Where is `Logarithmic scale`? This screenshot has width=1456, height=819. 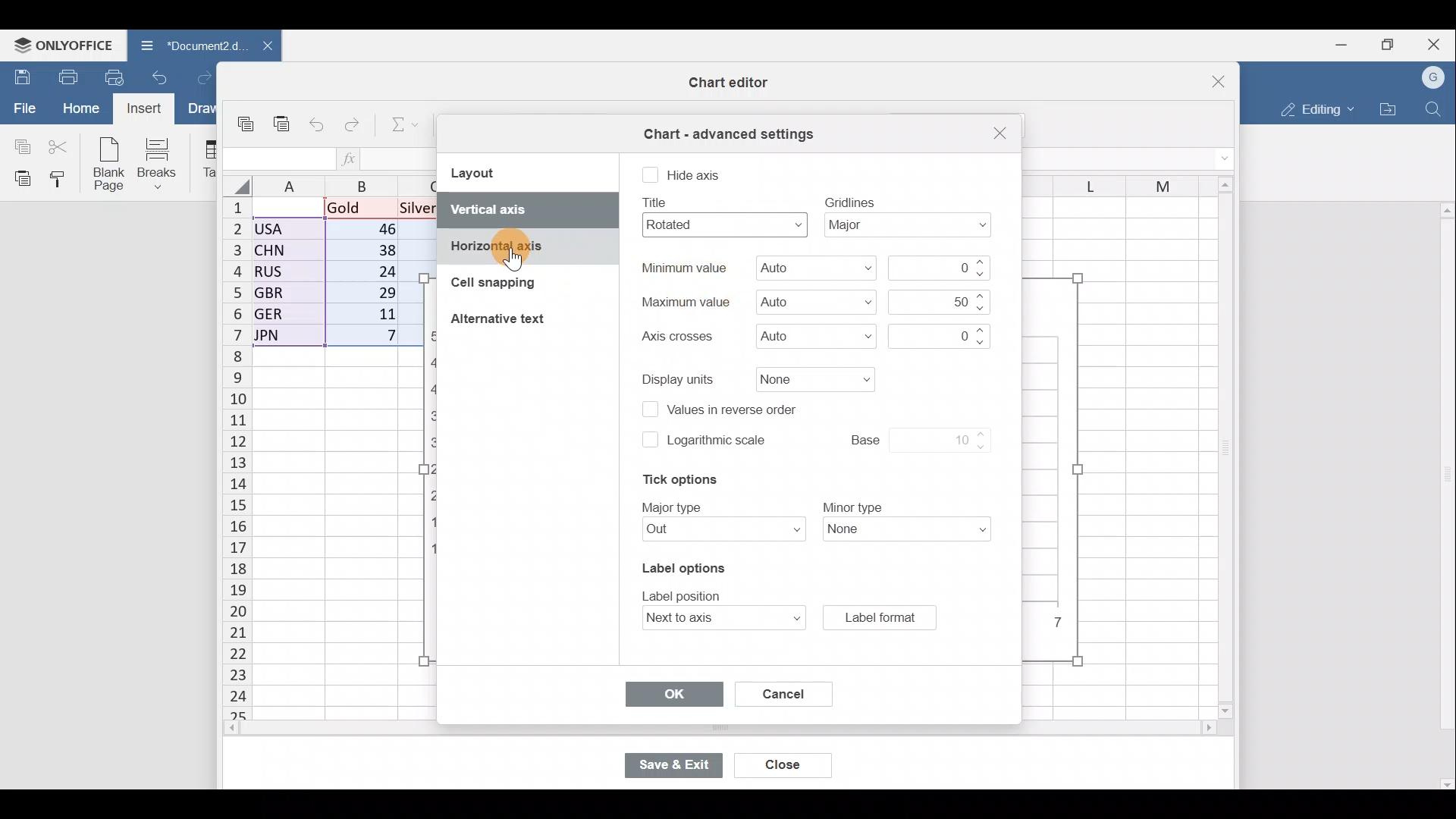 Logarithmic scale is located at coordinates (719, 443).